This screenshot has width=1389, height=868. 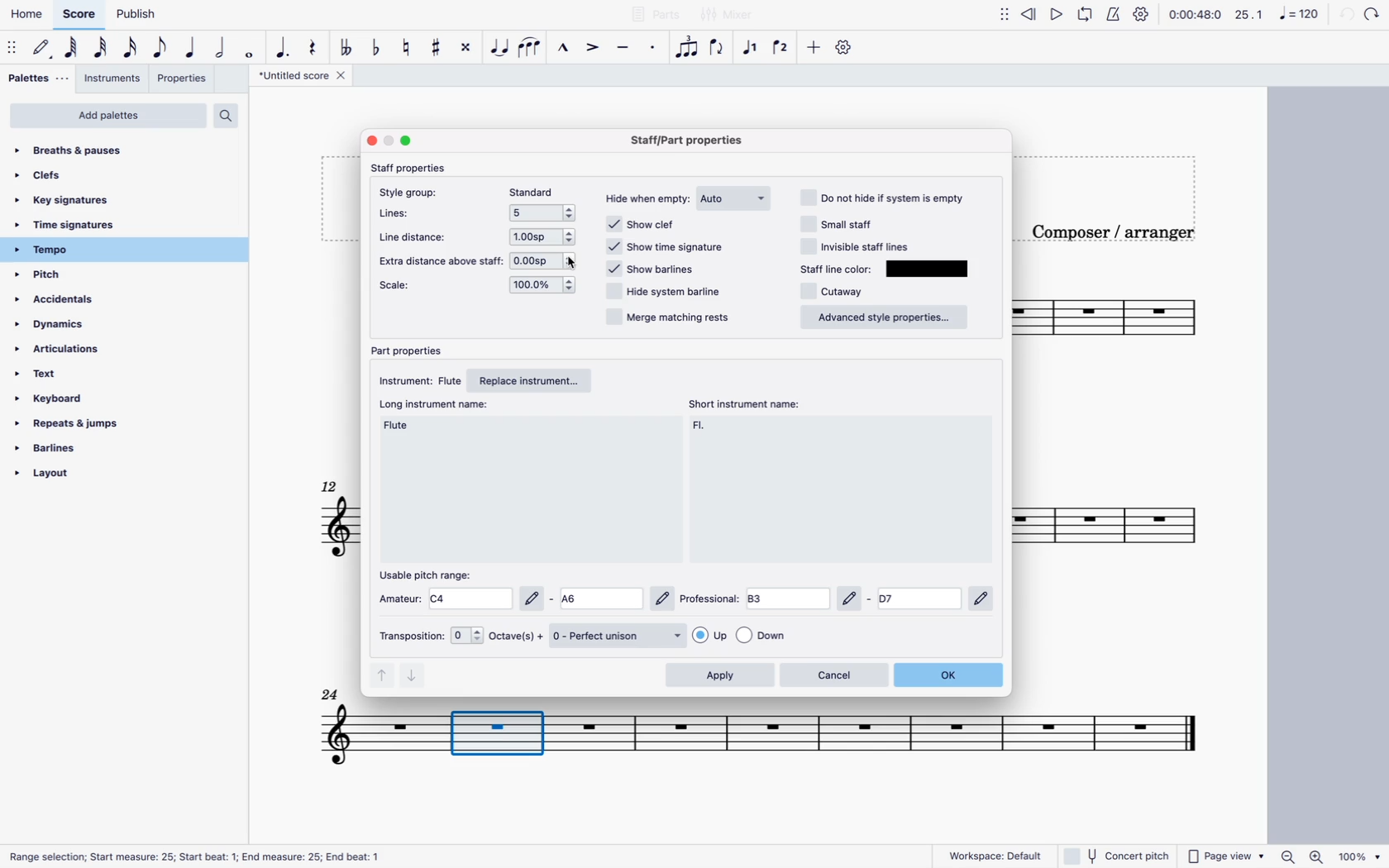 What do you see at coordinates (546, 260) in the screenshot?
I see `options` at bounding box center [546, 260].